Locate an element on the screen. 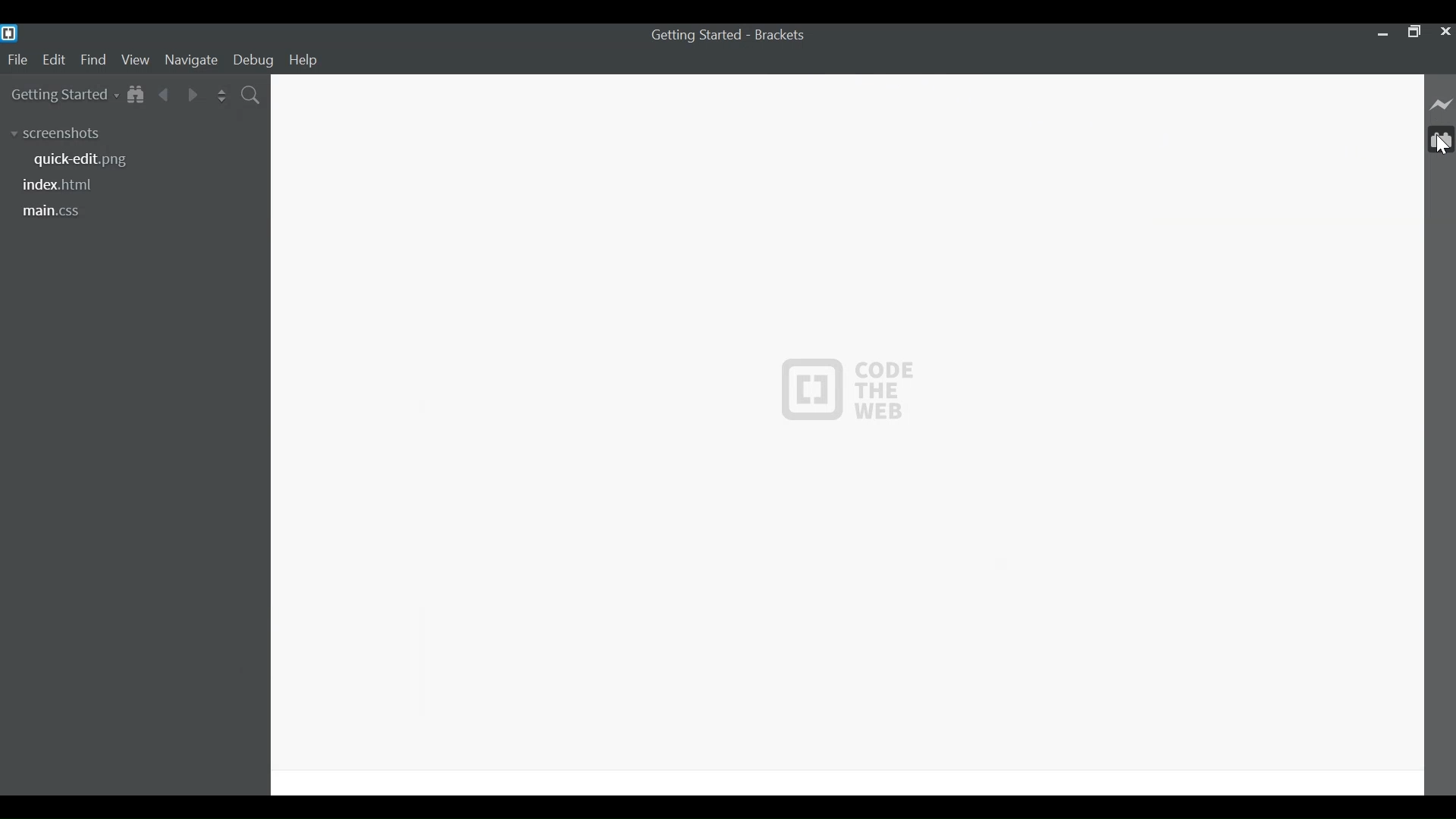 This screenshot has width=1456, height=819. Cursor is located at coordinates (1441, 147).